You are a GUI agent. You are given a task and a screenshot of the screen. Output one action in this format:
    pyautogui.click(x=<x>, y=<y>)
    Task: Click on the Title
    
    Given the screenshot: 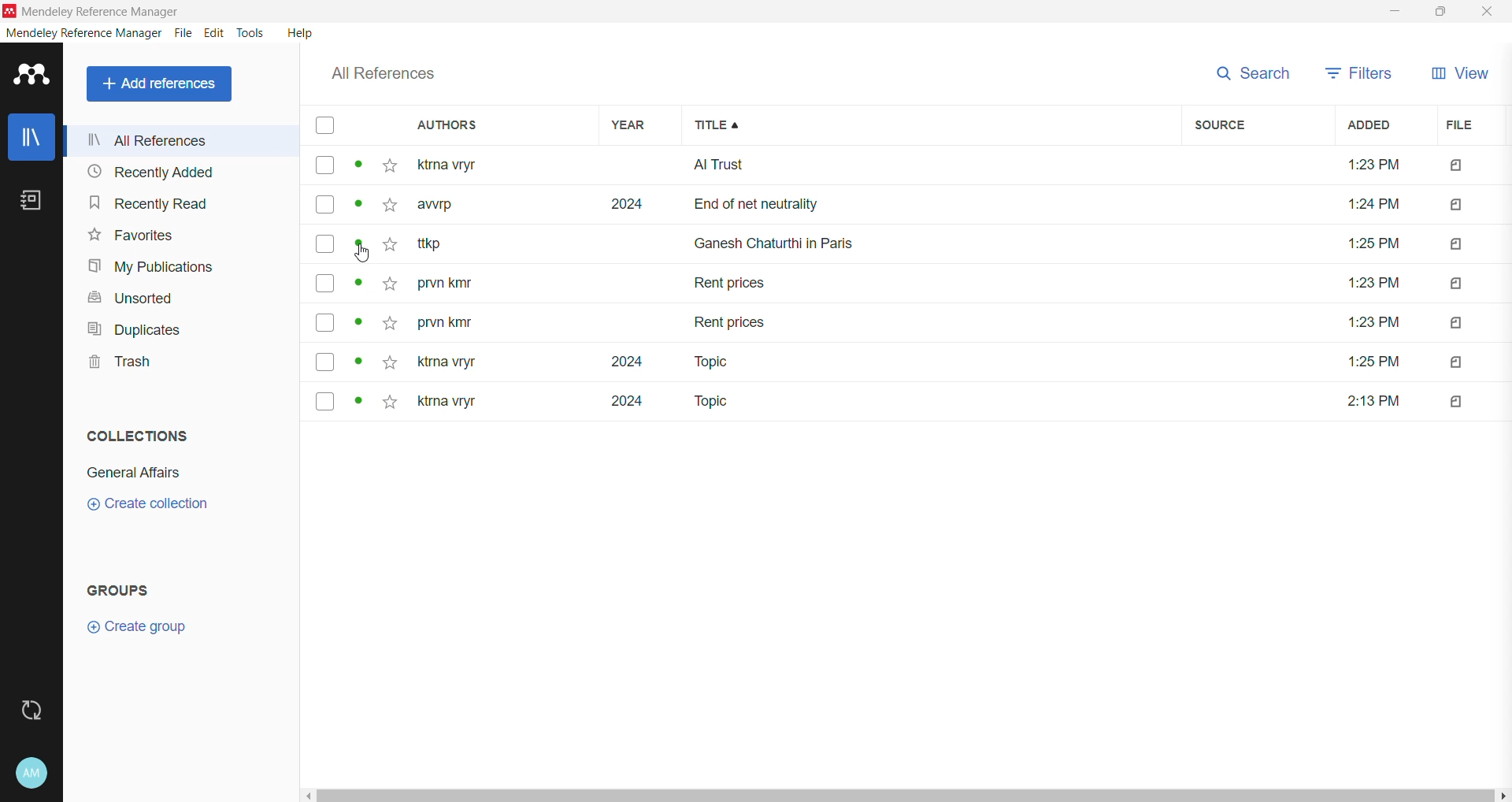 What is the action you would take?
    pyautogui.click(x=929, y=125)
    